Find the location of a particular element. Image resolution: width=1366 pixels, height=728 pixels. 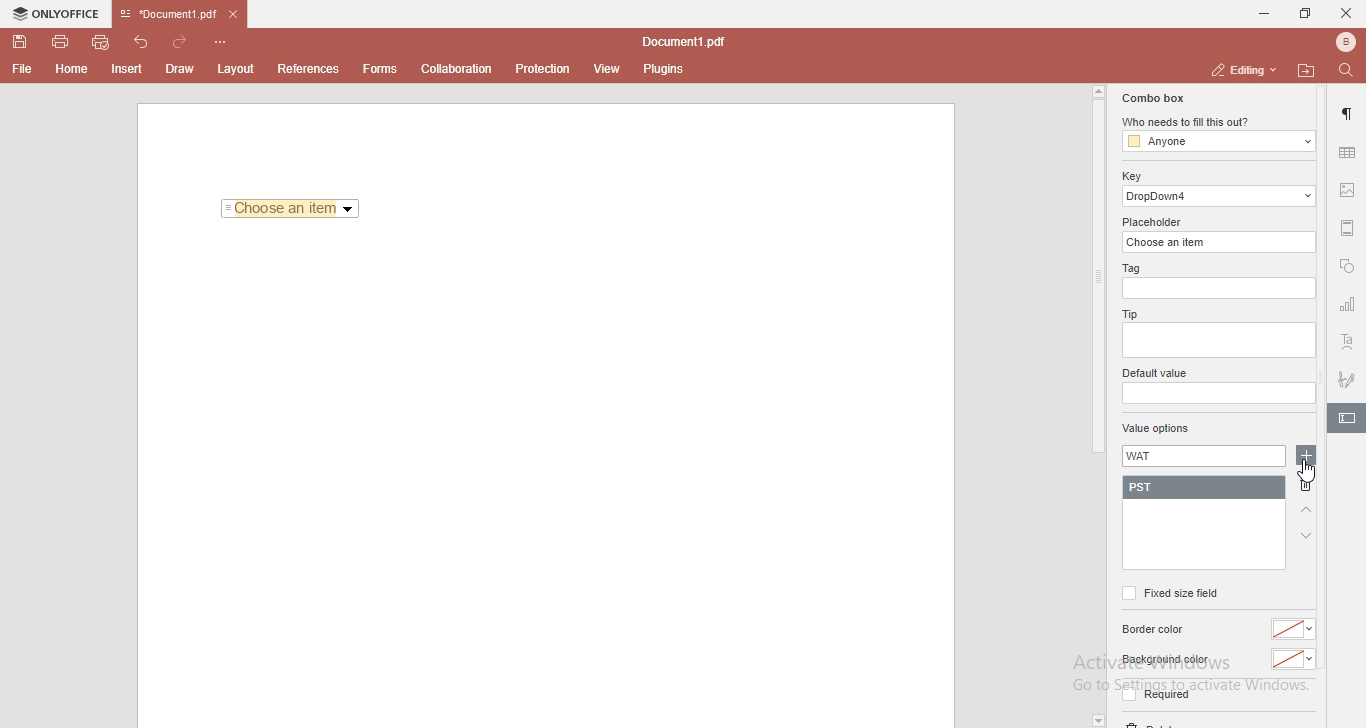

text is located at coordinates (1348, 343).